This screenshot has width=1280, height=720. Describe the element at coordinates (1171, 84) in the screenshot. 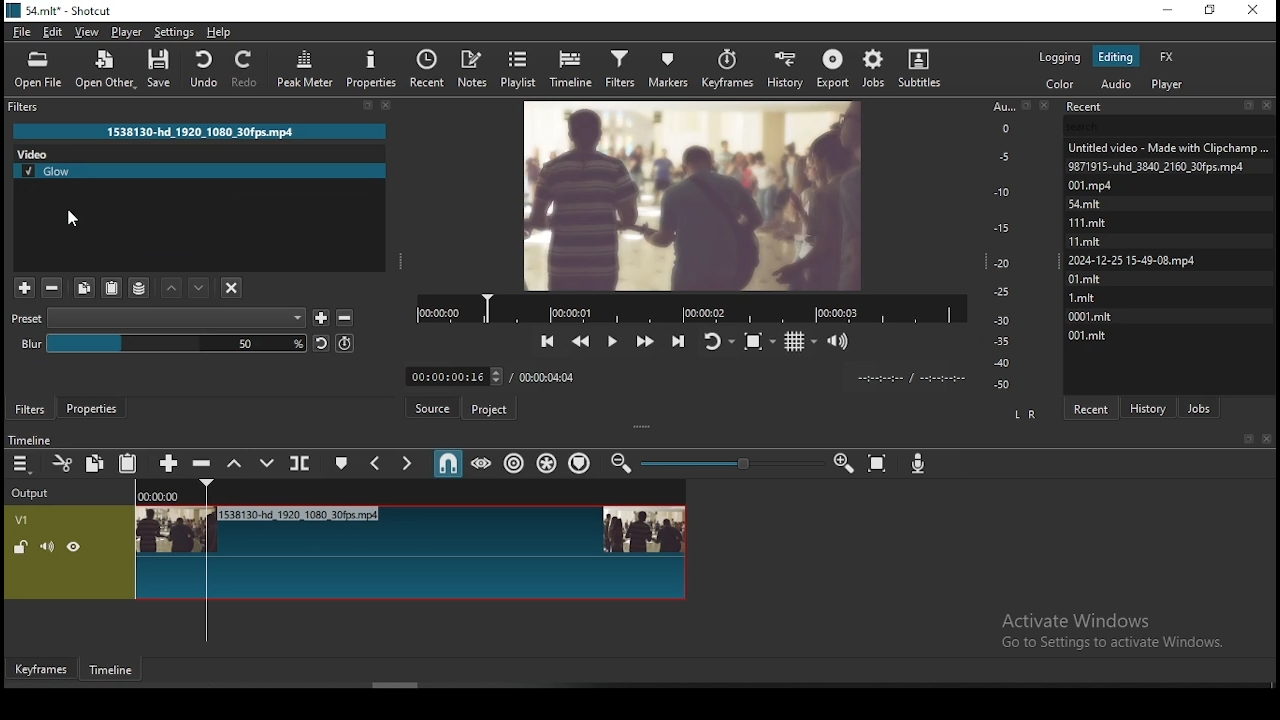

I see `player` at that location.